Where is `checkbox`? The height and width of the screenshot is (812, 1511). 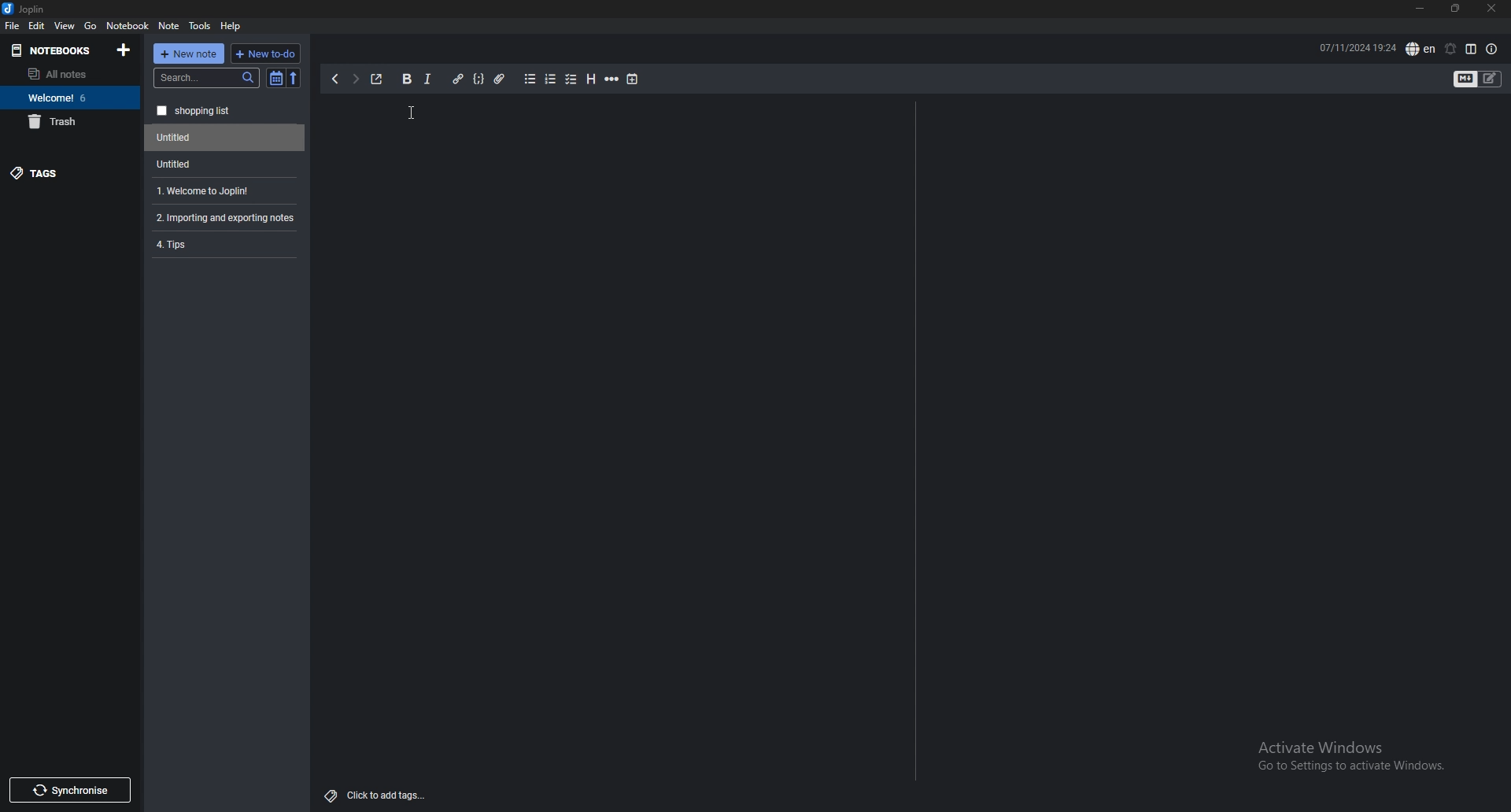
checkbox is located at coordinates (571, 80).